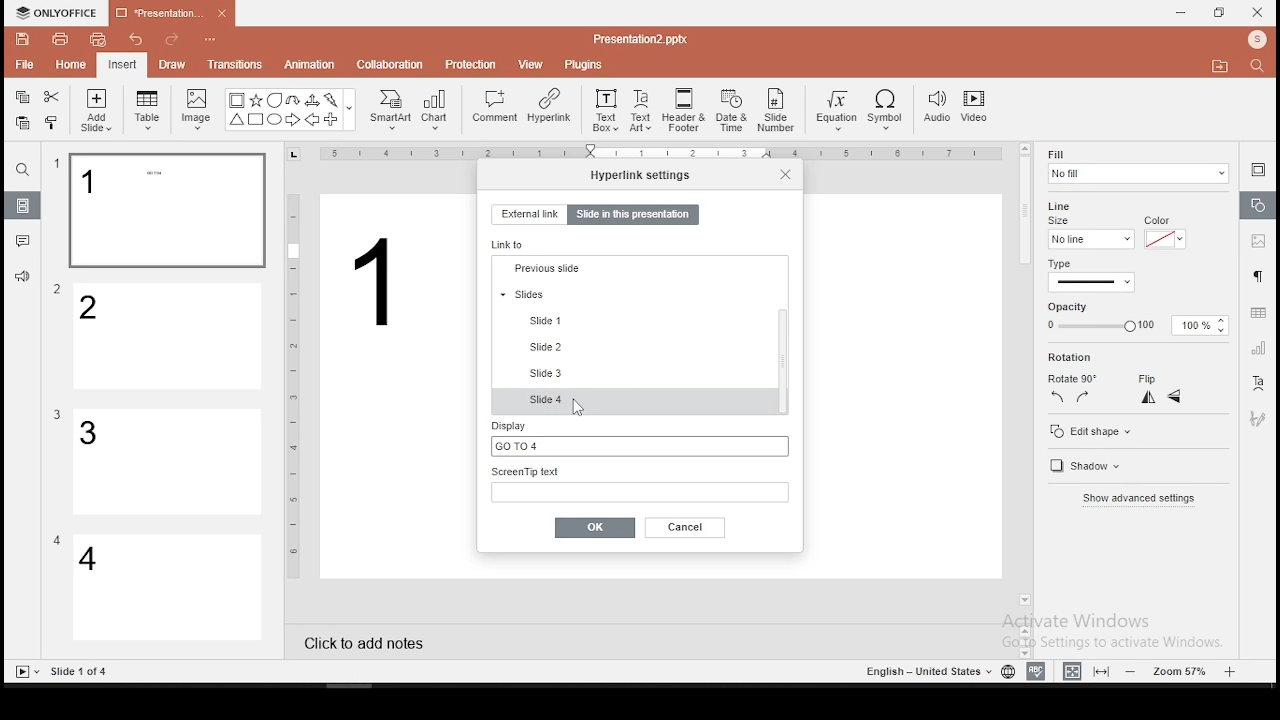  I want to click on fit to slide, so click(1104, 670).